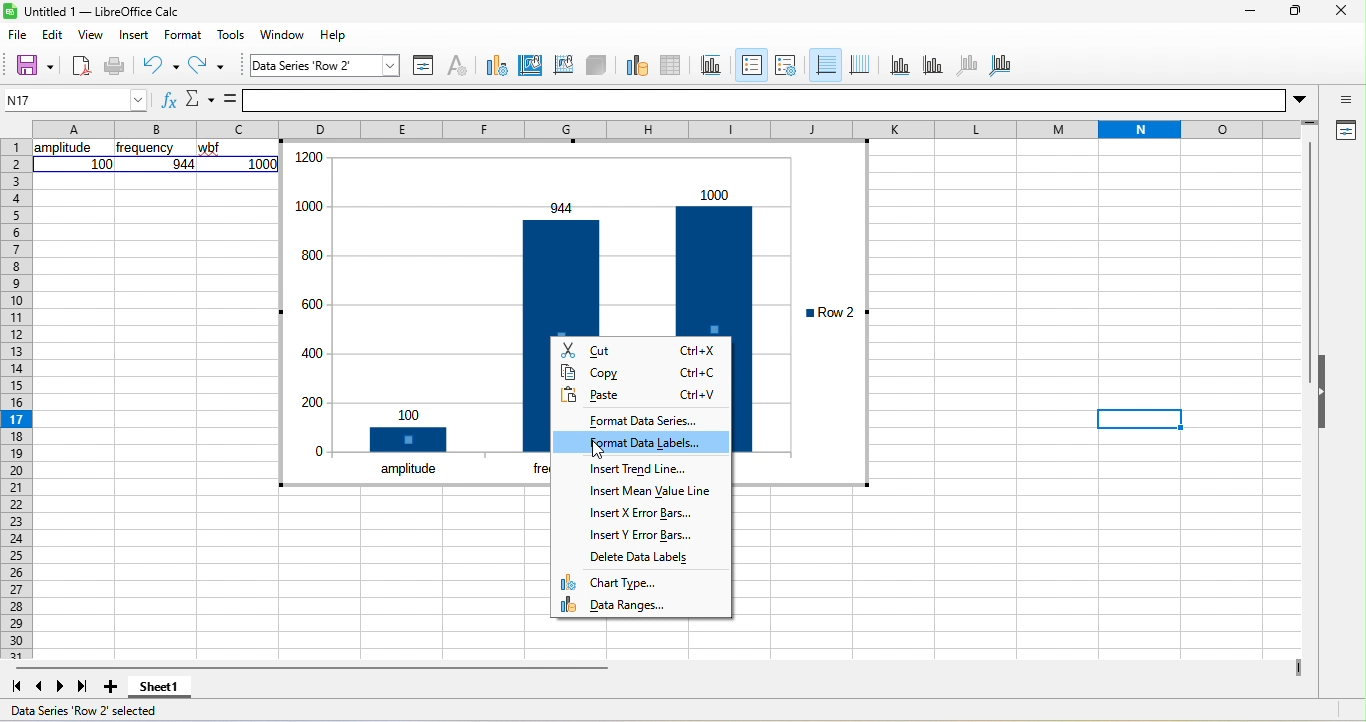  I want to click on edit, so click(55, 36).